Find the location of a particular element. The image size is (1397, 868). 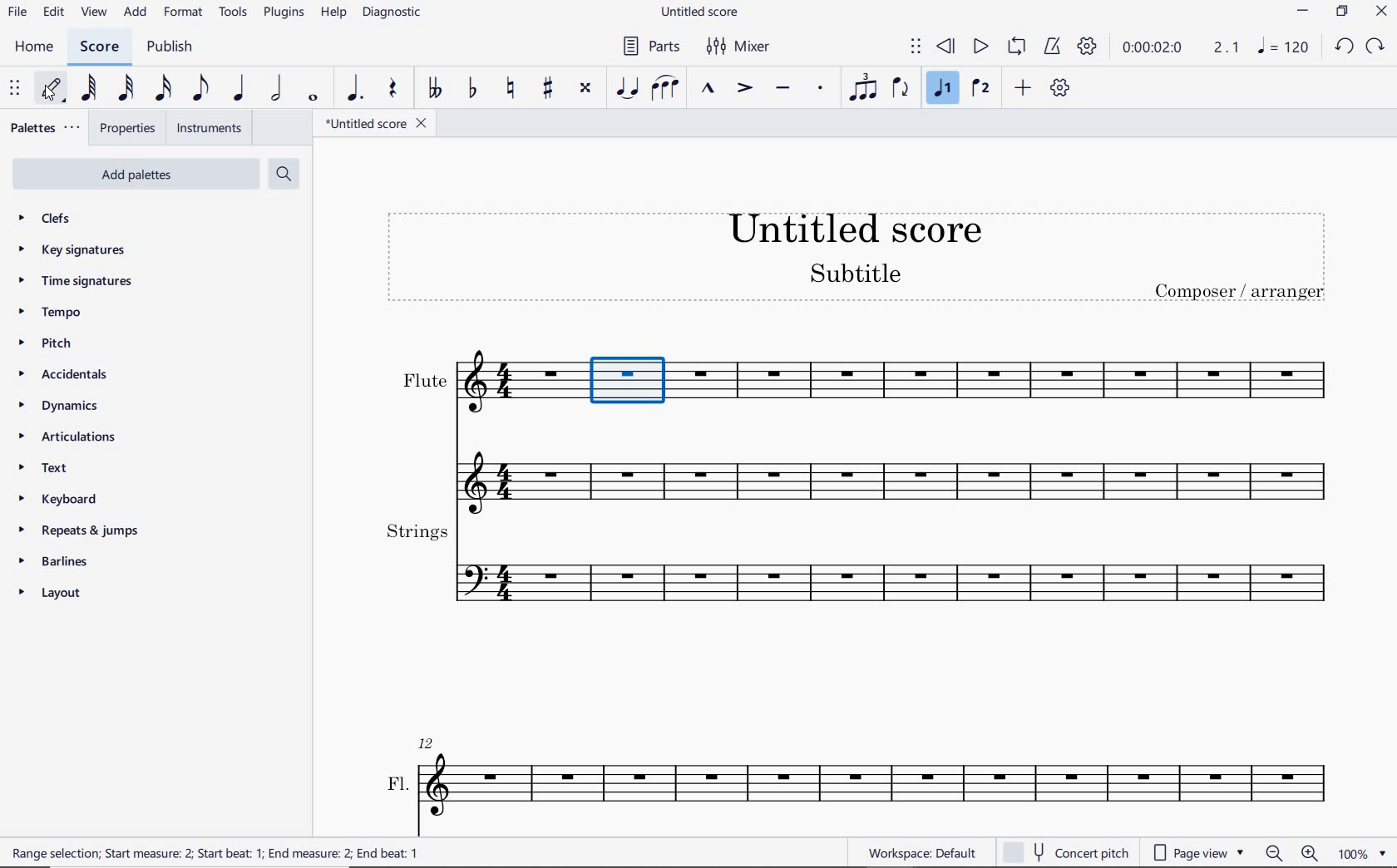

flute is located at coordinates (1007, 385).